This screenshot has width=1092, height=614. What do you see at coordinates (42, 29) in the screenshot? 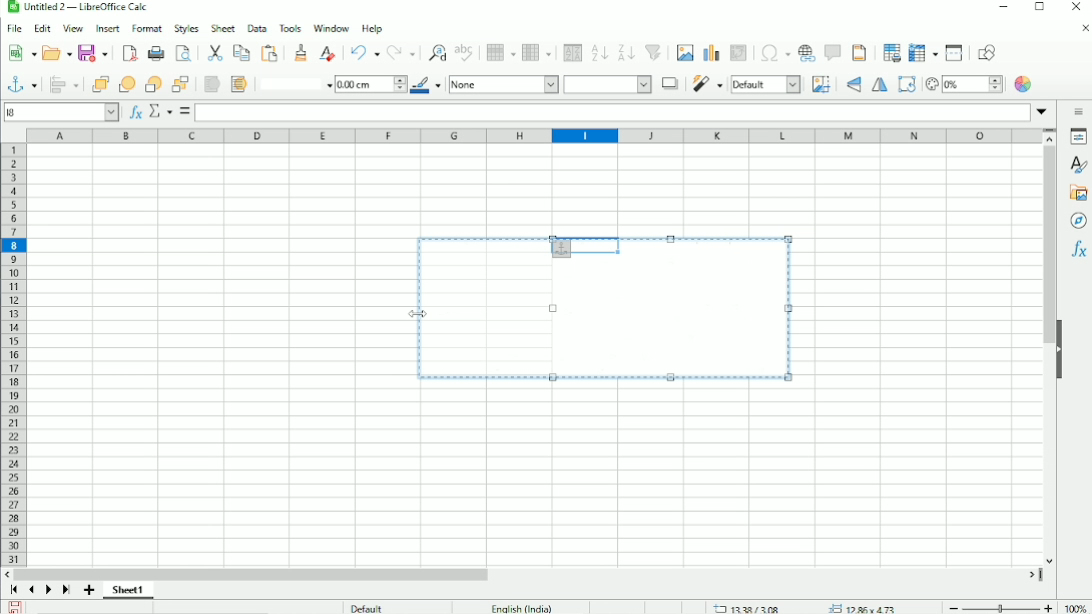
I see `Edit` at bounding box center [42, 29].